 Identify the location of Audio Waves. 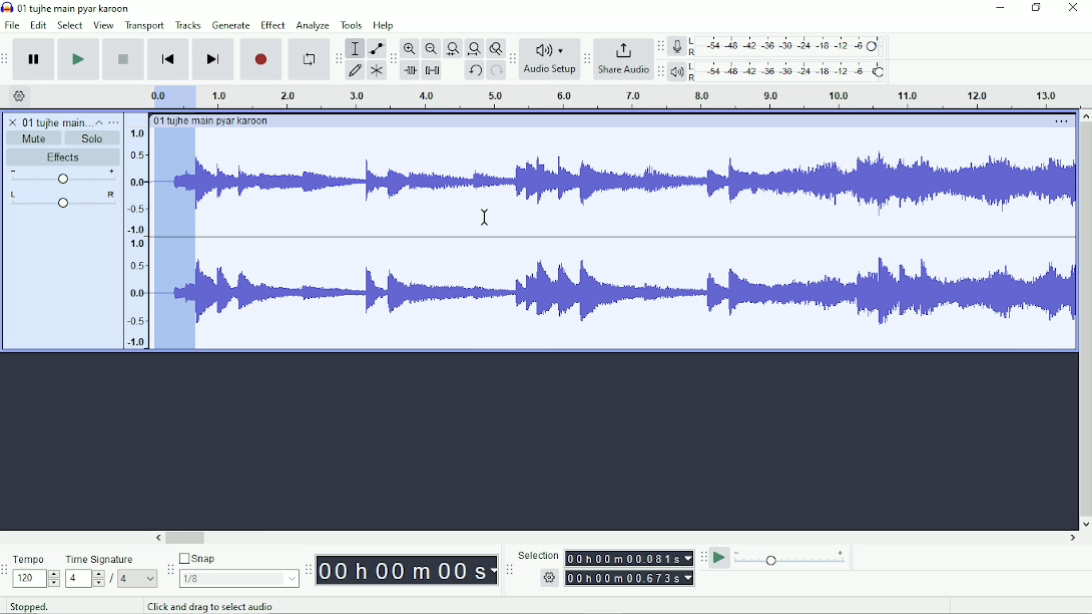
(635, 171).